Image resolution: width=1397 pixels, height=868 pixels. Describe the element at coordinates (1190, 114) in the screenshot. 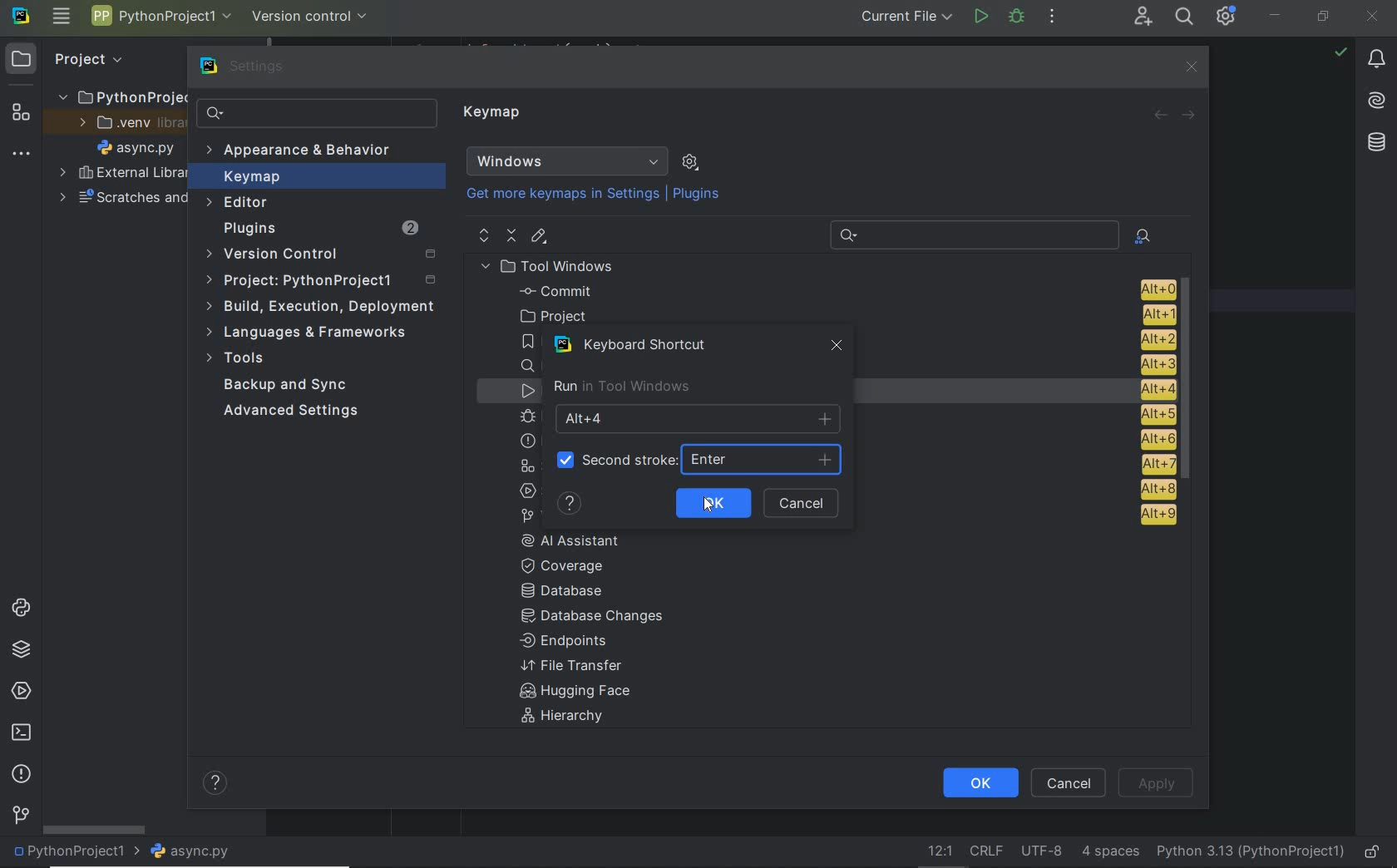

I see `forward` at that location.